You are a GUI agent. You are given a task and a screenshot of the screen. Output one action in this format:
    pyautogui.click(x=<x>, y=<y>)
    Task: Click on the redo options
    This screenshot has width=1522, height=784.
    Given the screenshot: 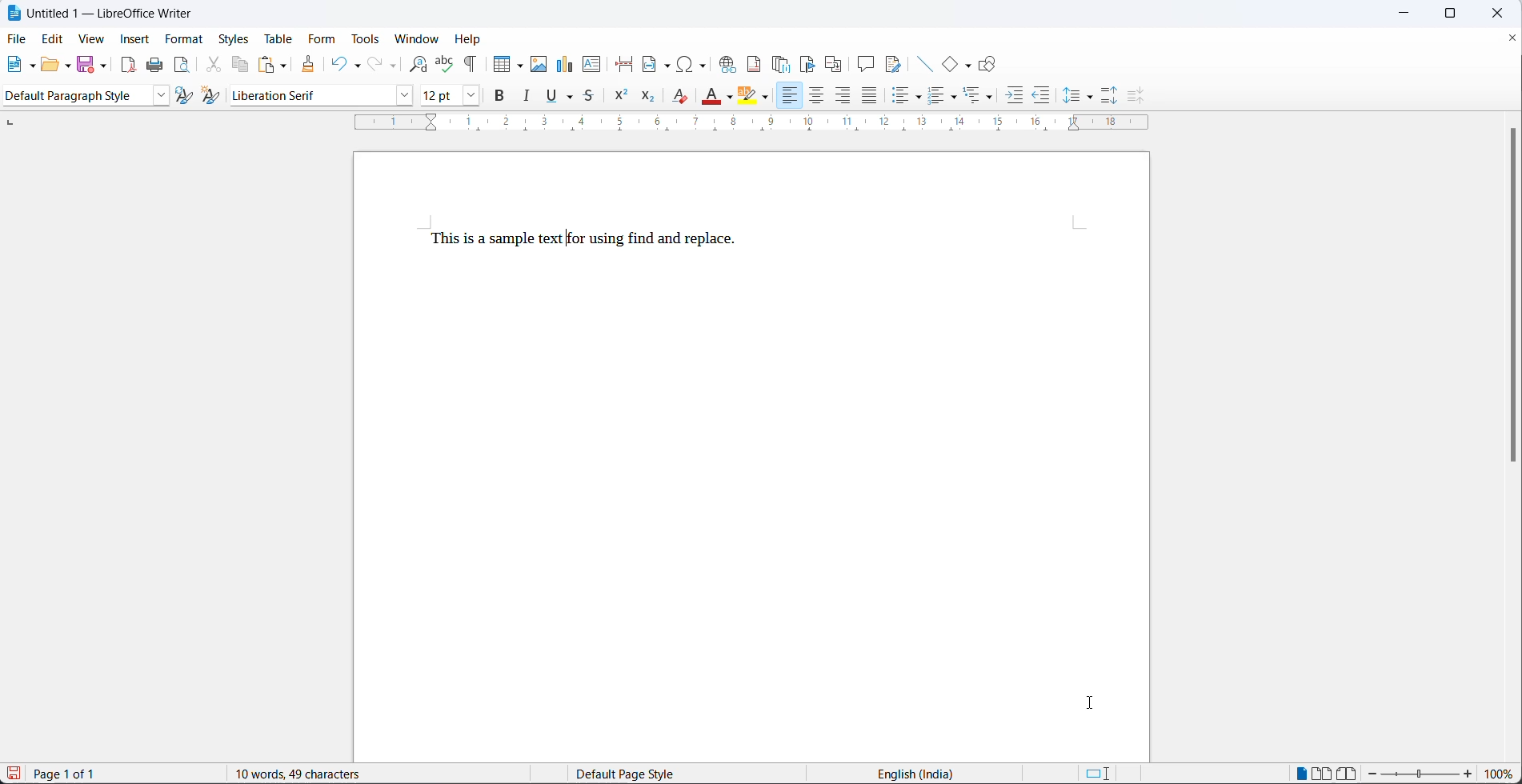 What is the action you would take?
    pyautogui.click(x=394, y=66)
    